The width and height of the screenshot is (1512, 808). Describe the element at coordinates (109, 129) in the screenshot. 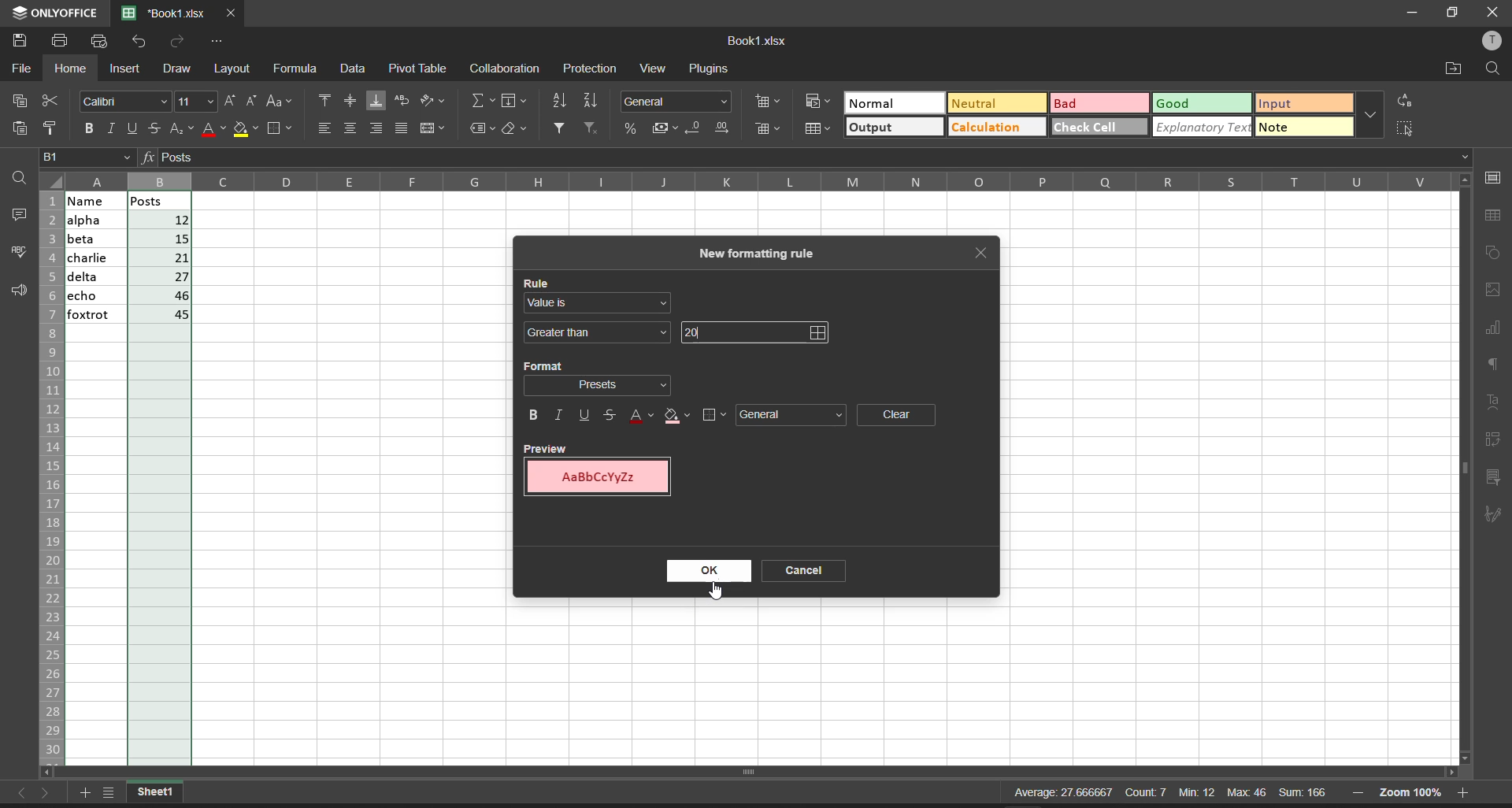

I see `italic` at that location.